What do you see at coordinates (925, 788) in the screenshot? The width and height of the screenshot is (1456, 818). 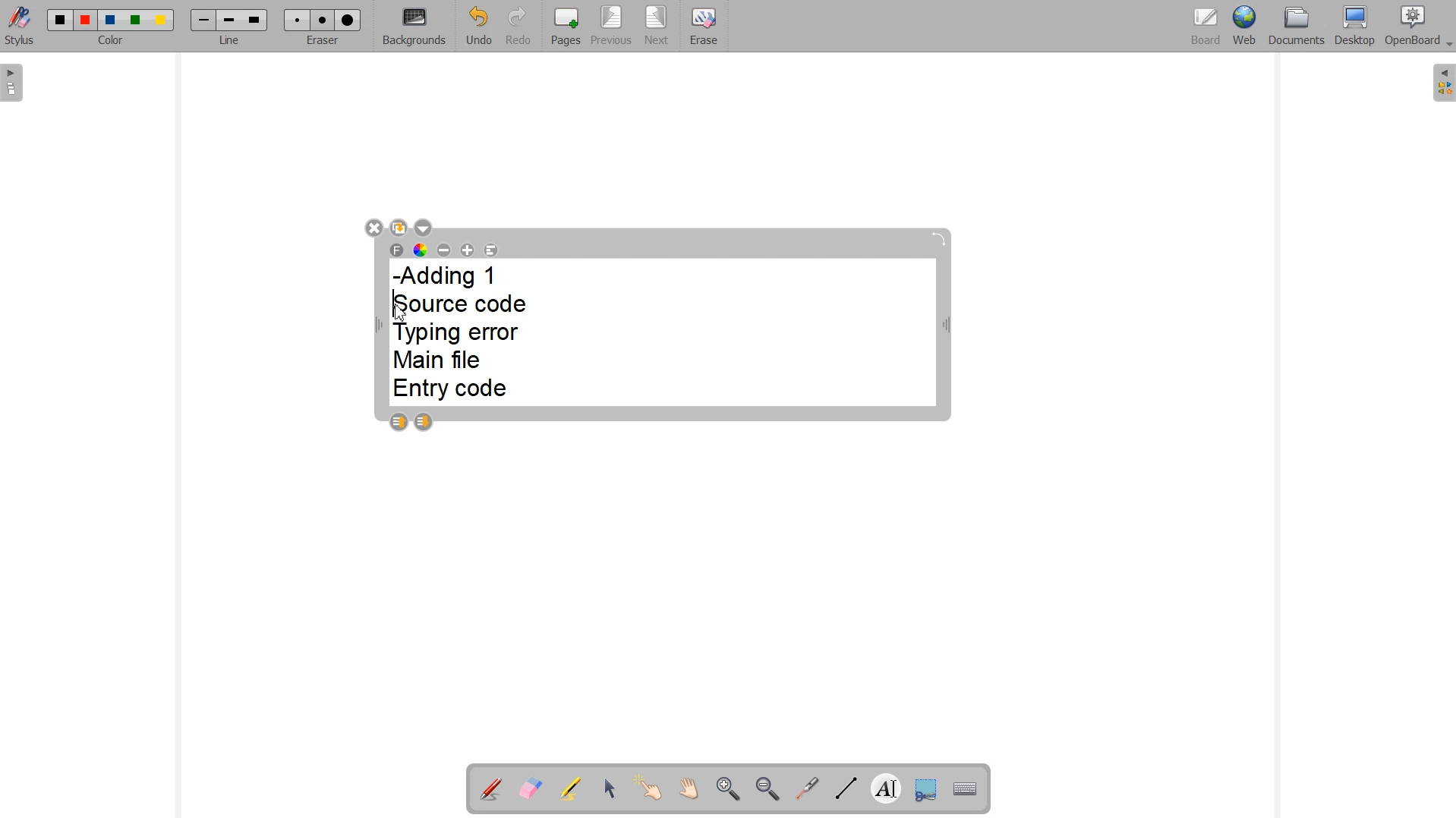 I see `Capture part of the screen` at bounding box center [925, 788].